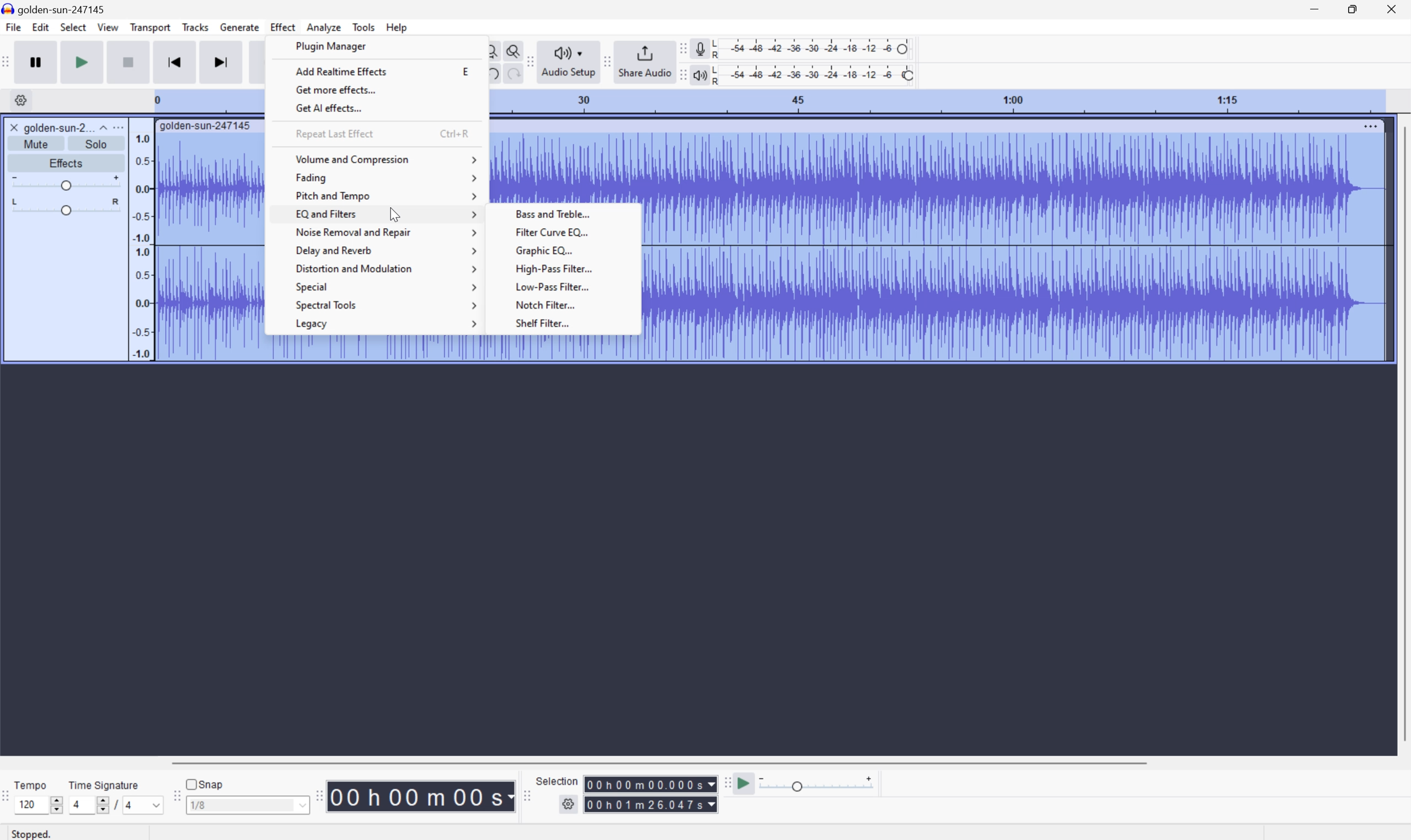 The width and height of the screenshot is (1411, 840). Describe the element at coordinates (422, 795) in the screenshot. I see `Time` at that location.